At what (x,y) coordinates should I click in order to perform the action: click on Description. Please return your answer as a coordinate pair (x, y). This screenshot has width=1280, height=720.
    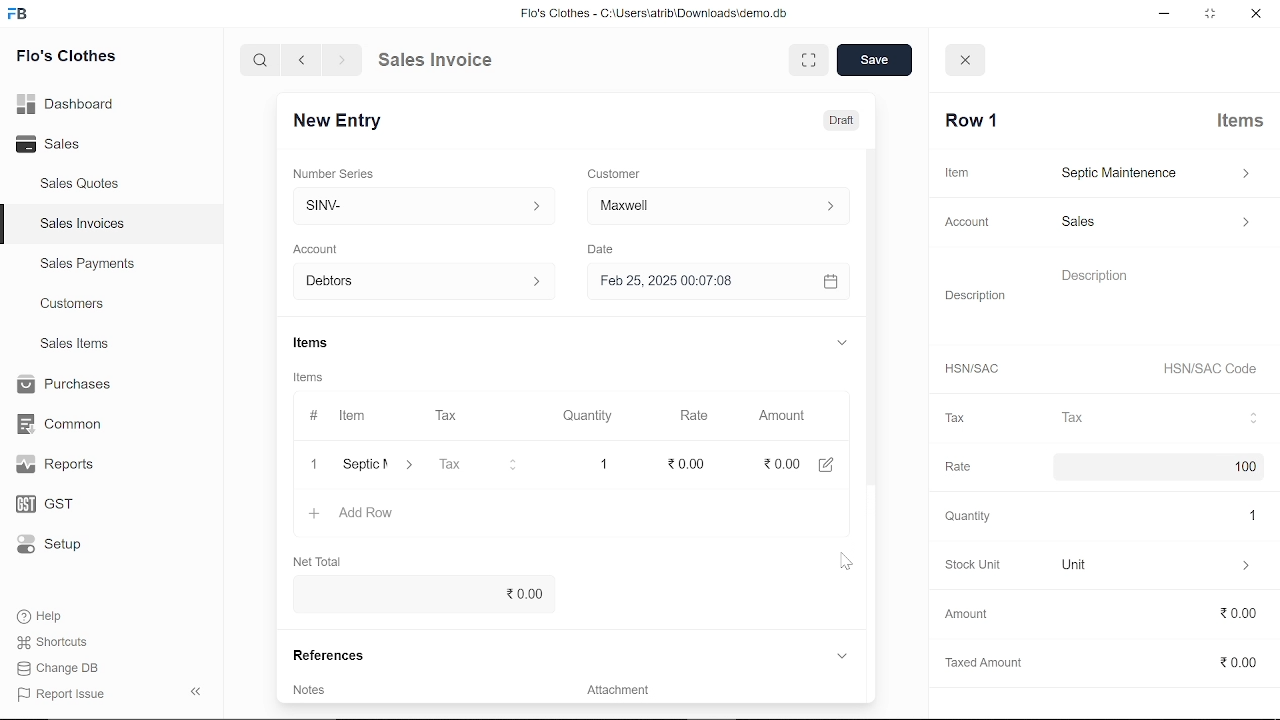
    Looking at the image, I should click on (976, 293).